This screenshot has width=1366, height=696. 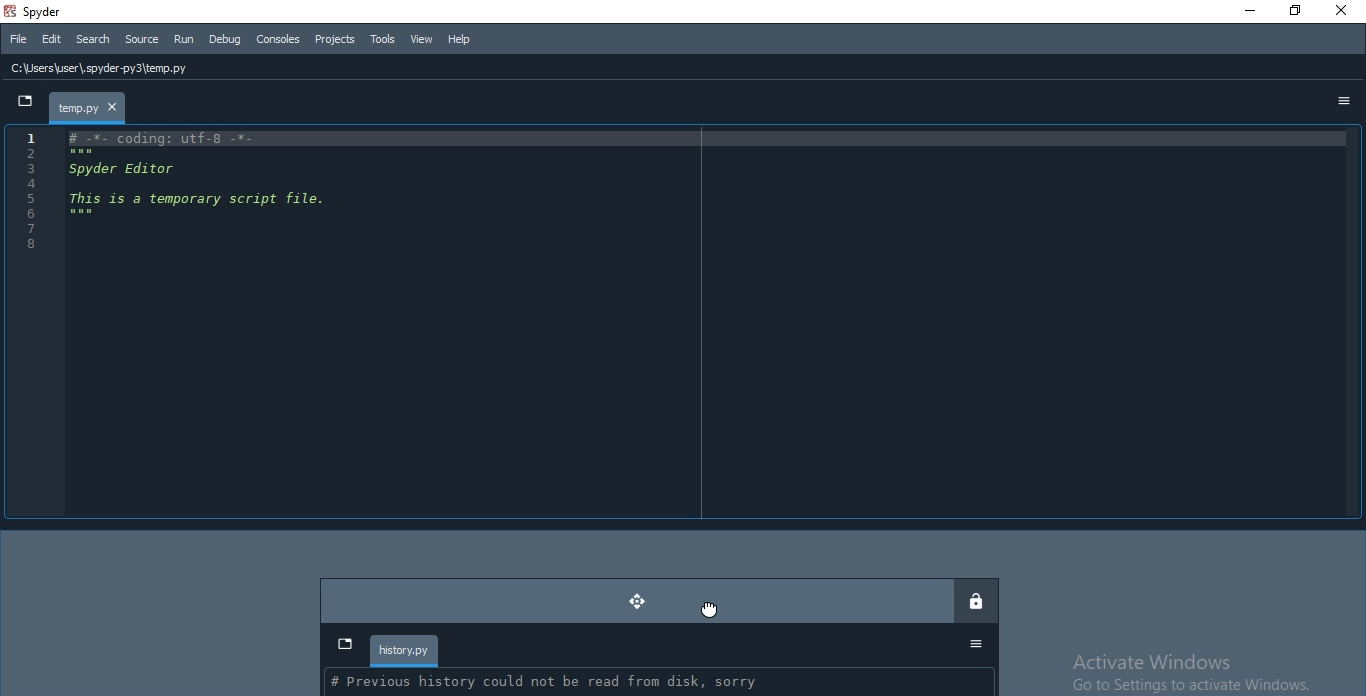 I want to click on Projects, so click(x=334, y=40).